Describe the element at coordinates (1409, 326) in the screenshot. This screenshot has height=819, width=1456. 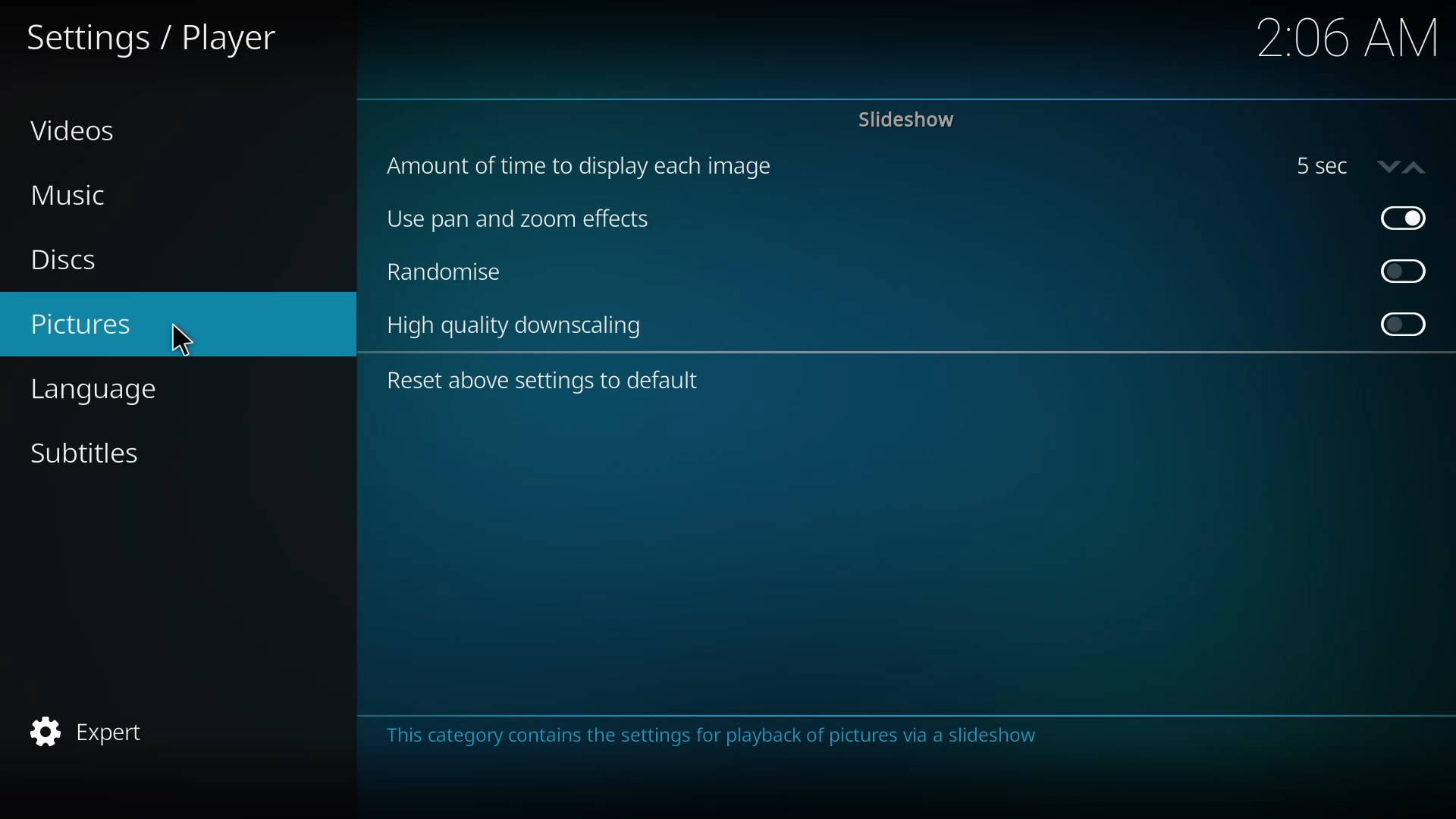
I see `click to enable` at that location.